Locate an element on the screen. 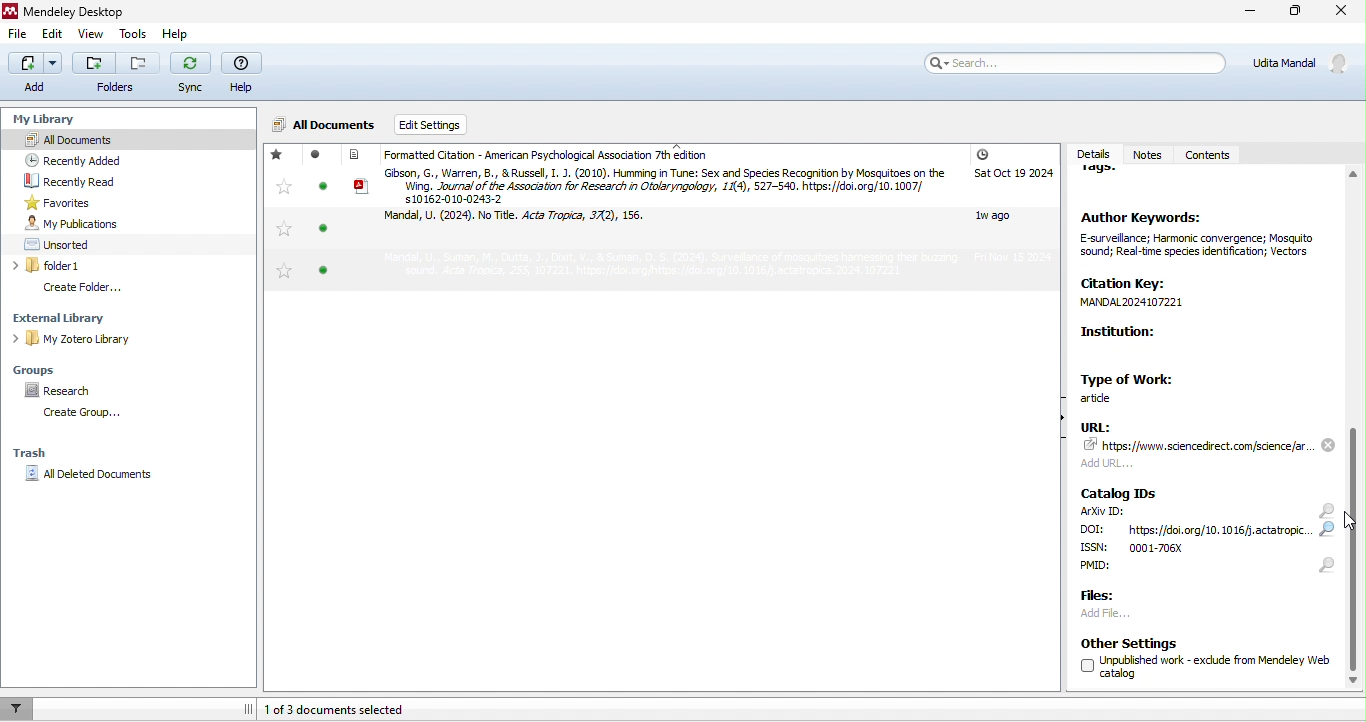 The height and width of the screenshot is (722, 1366). added date is located at coordinates (1012, 207).